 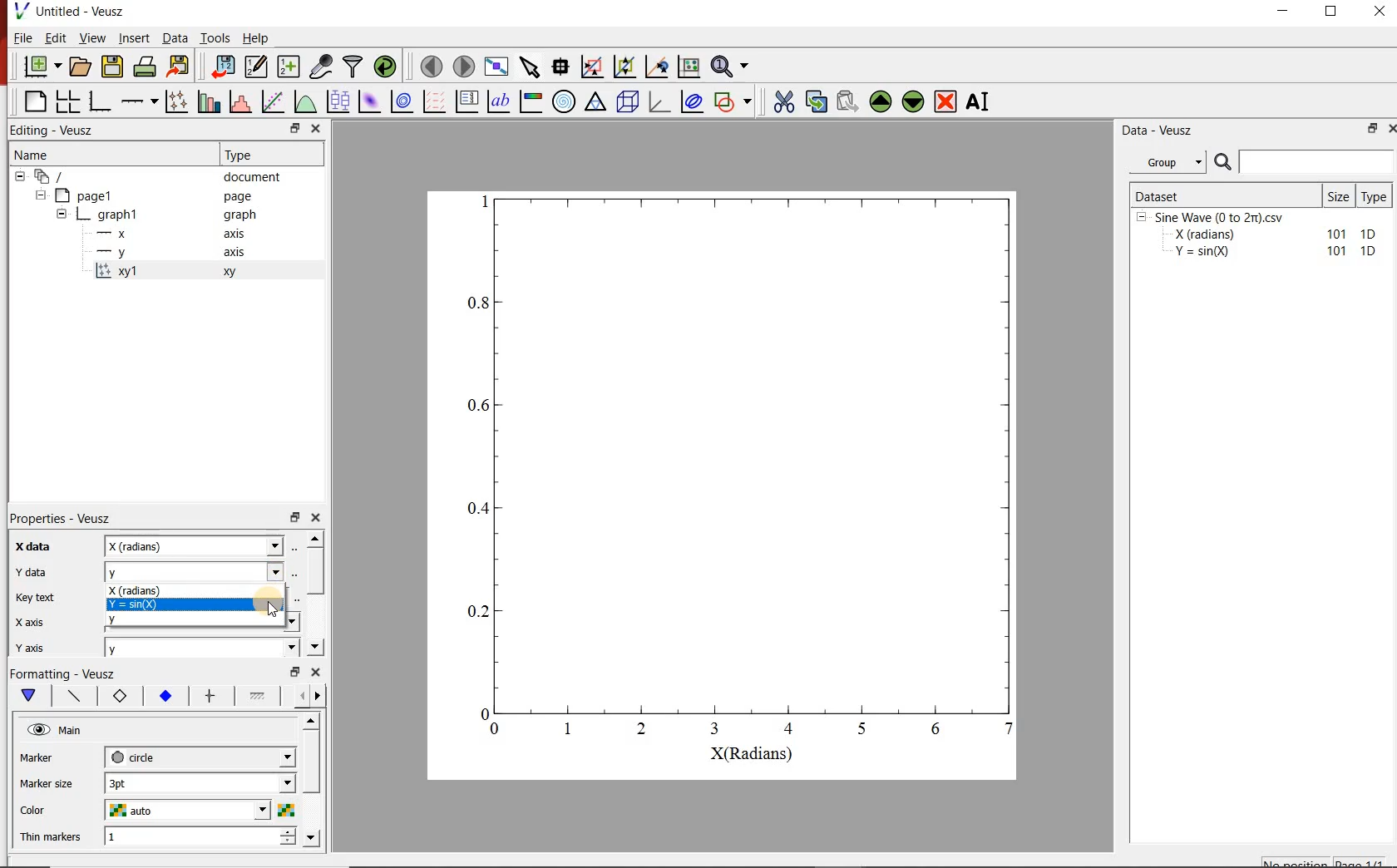 I want to click on no positions, so click(x=1325, y=861).